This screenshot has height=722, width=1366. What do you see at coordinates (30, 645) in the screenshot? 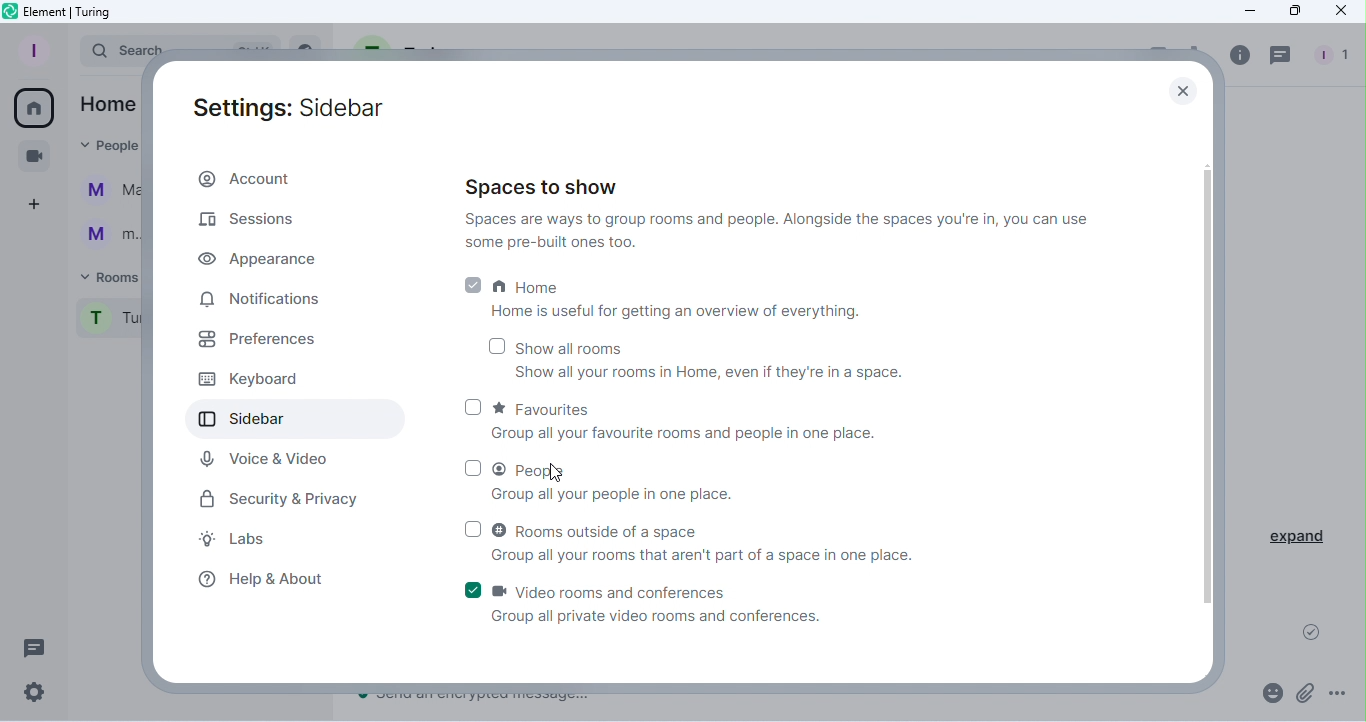
I see `Threads` at bounding box center [30, 645].